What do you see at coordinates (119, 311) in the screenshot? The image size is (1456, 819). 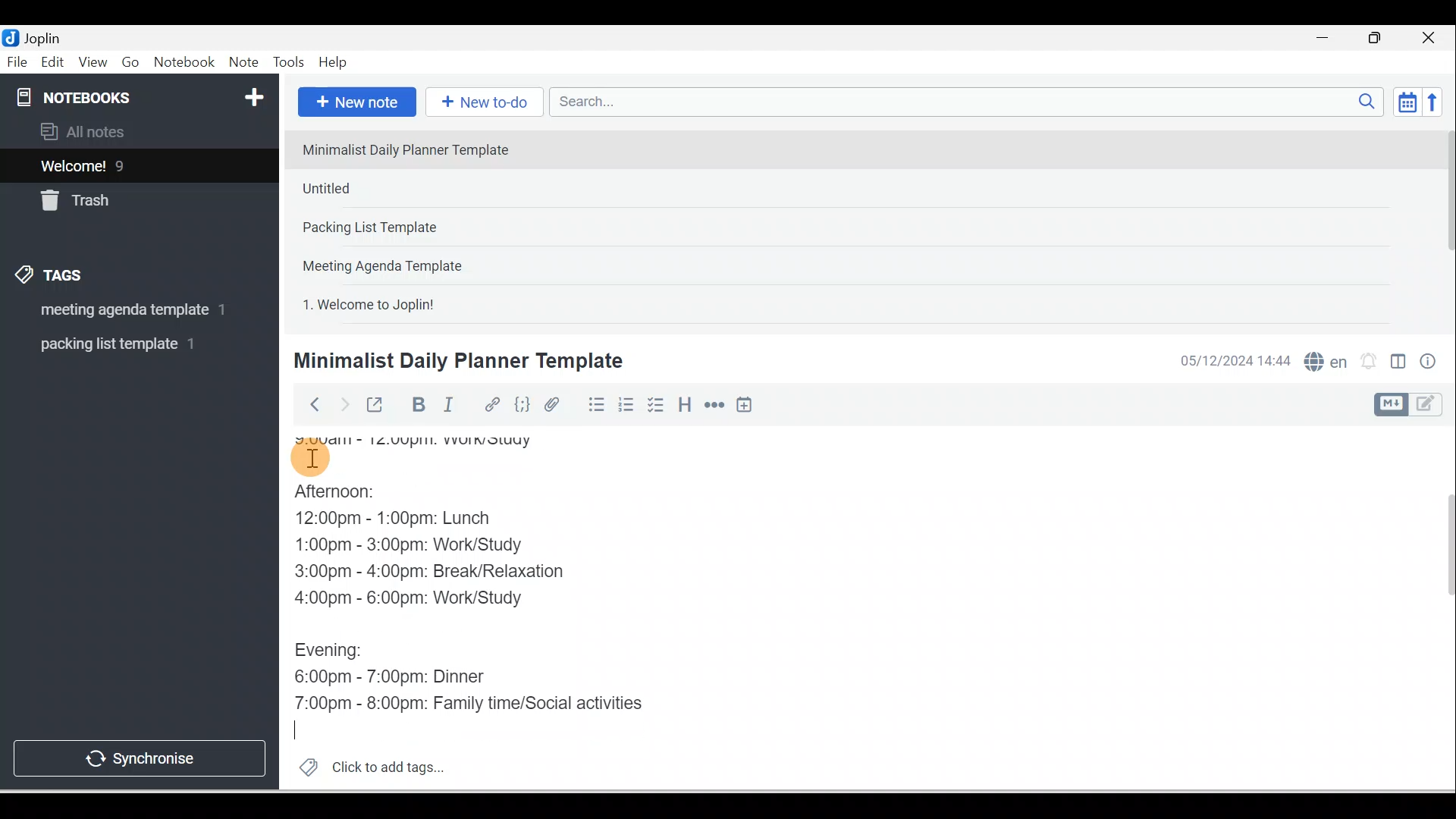 I see `Tag 1` at bounding box center [119, 311].